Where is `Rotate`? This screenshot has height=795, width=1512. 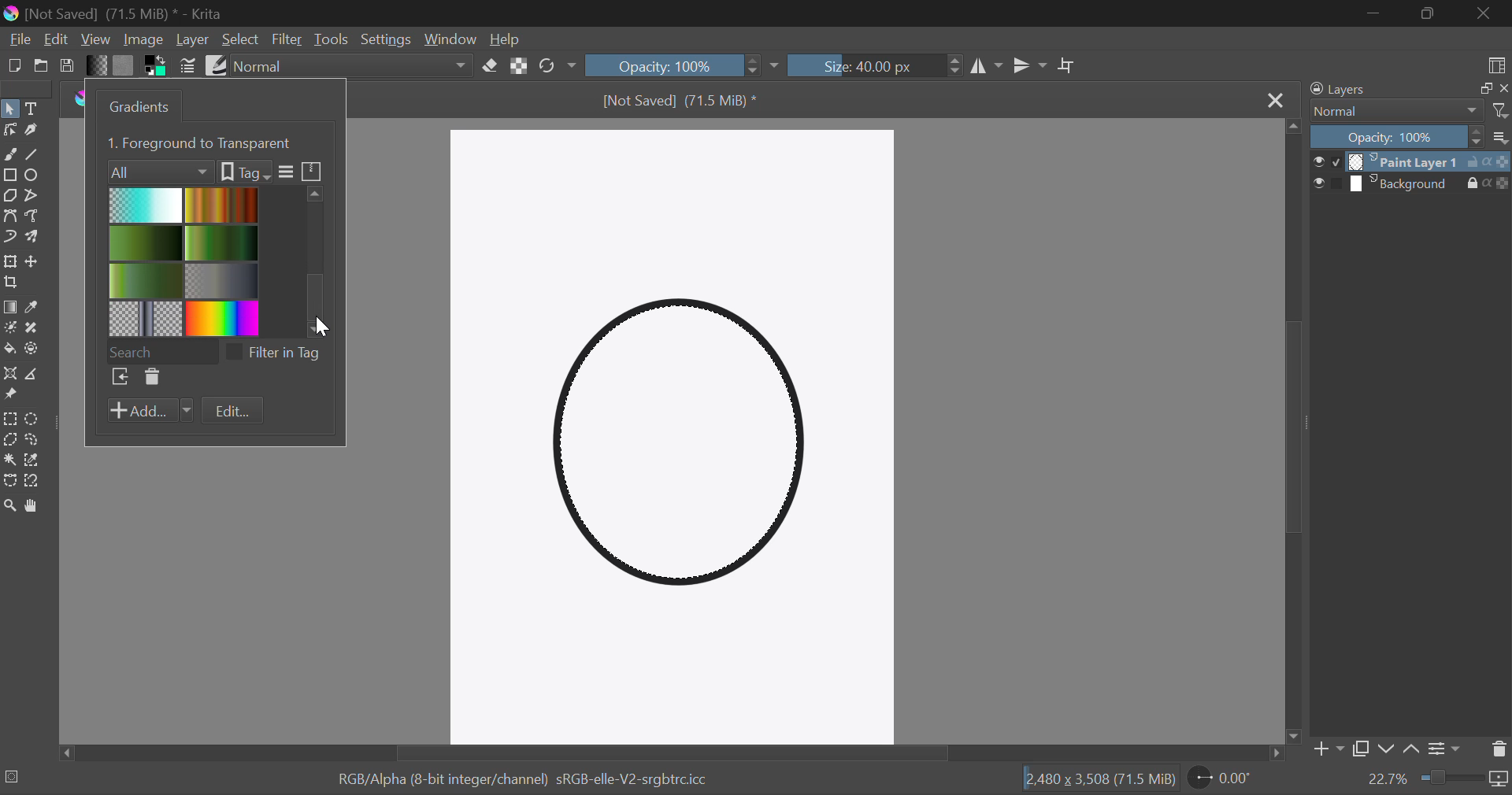 Rotate is located at coordinates (556, 65).